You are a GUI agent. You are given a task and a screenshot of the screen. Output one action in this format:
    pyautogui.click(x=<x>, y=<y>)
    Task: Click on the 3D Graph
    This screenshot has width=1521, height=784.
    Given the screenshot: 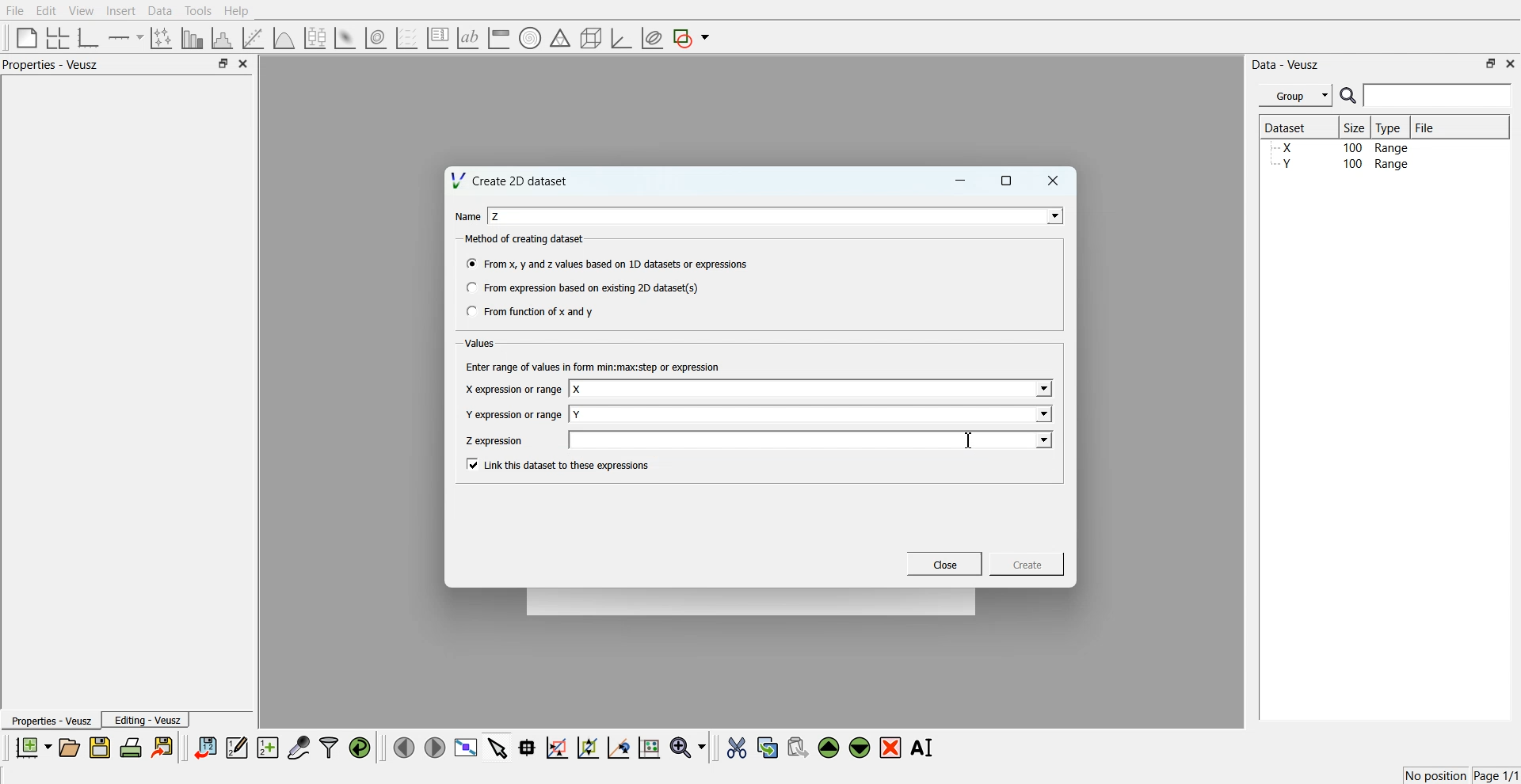 What is the action you would take?
    pyautogui.click(x=621, y=38)
    